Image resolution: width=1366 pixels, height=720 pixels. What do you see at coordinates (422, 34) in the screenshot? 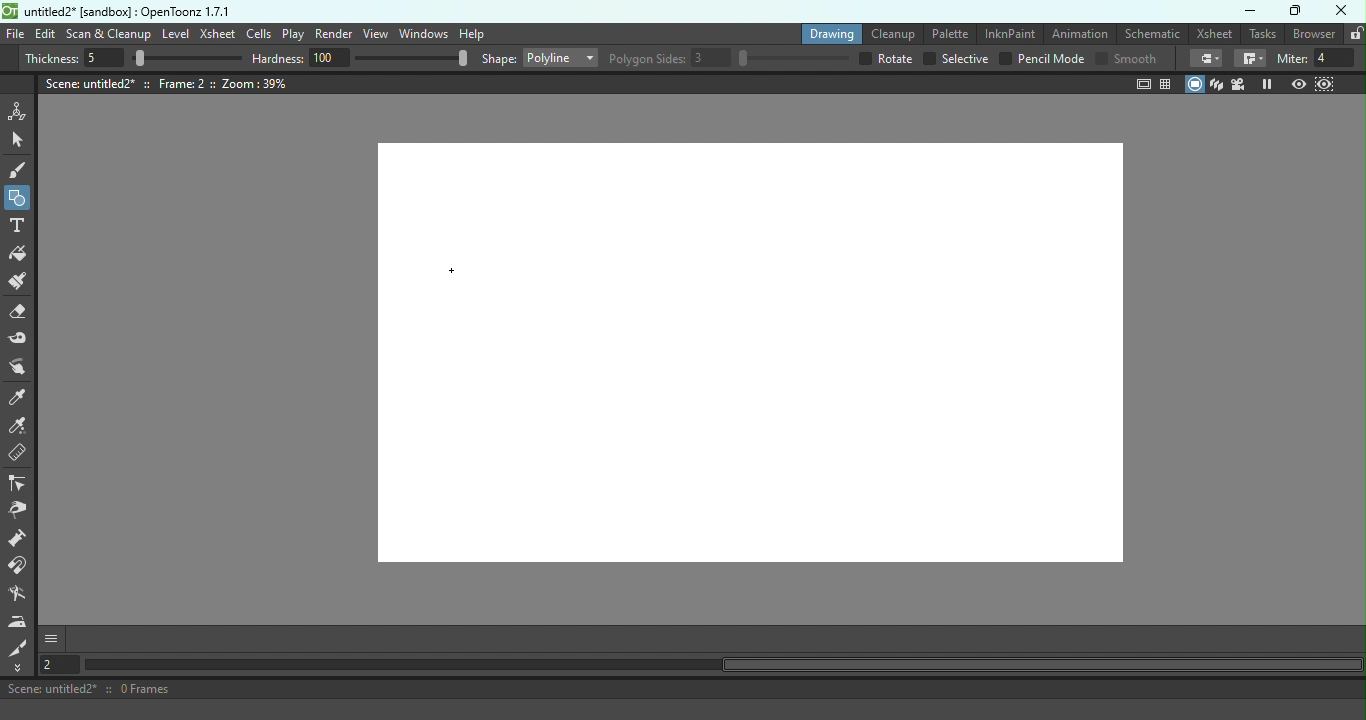
I see `Windows` at bounding box center [422, 34].